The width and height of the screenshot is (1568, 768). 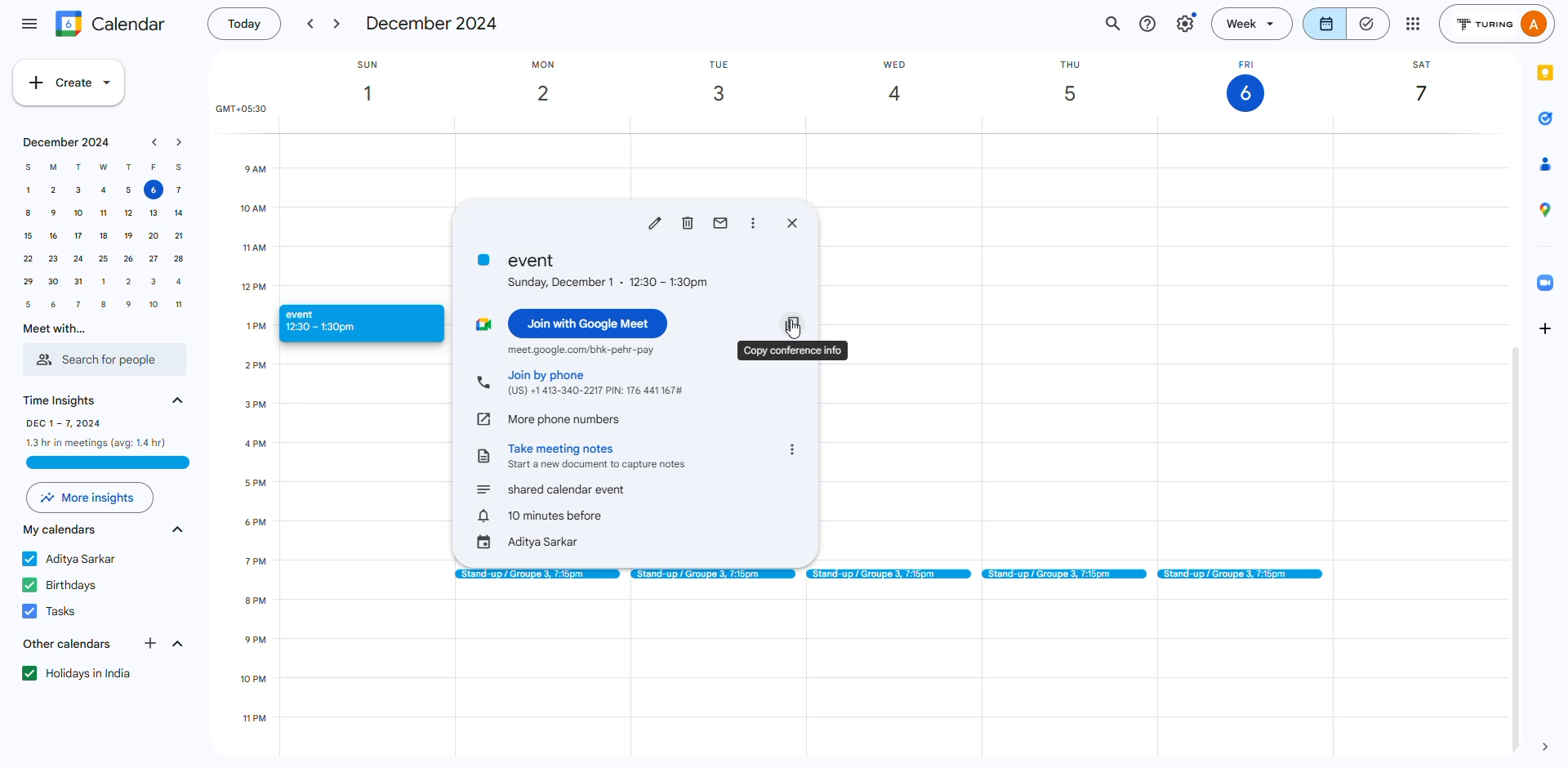 I want to click on 29, so click(x=29, y=282).